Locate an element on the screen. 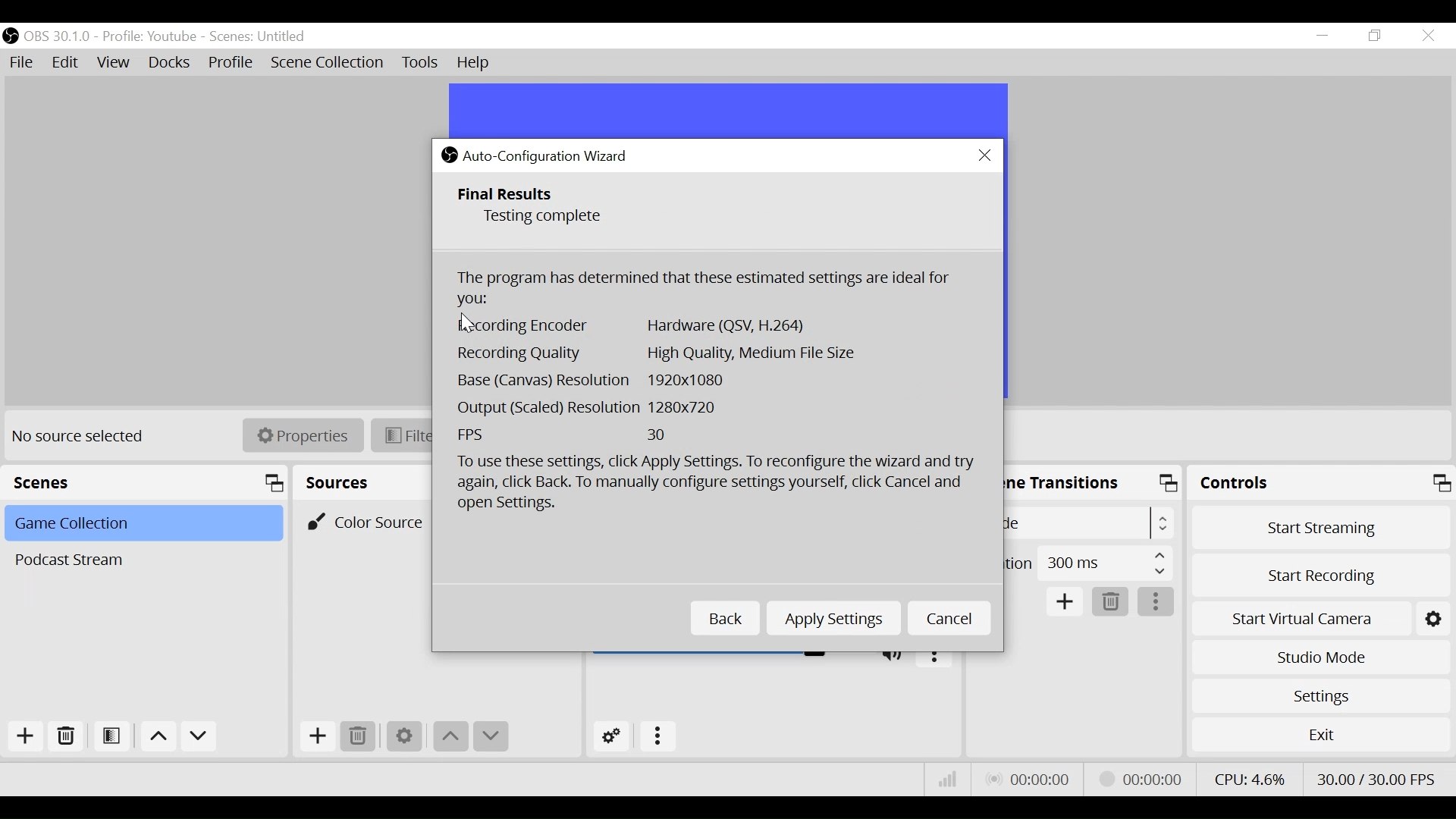  scene is located at coordinates (259, 37).